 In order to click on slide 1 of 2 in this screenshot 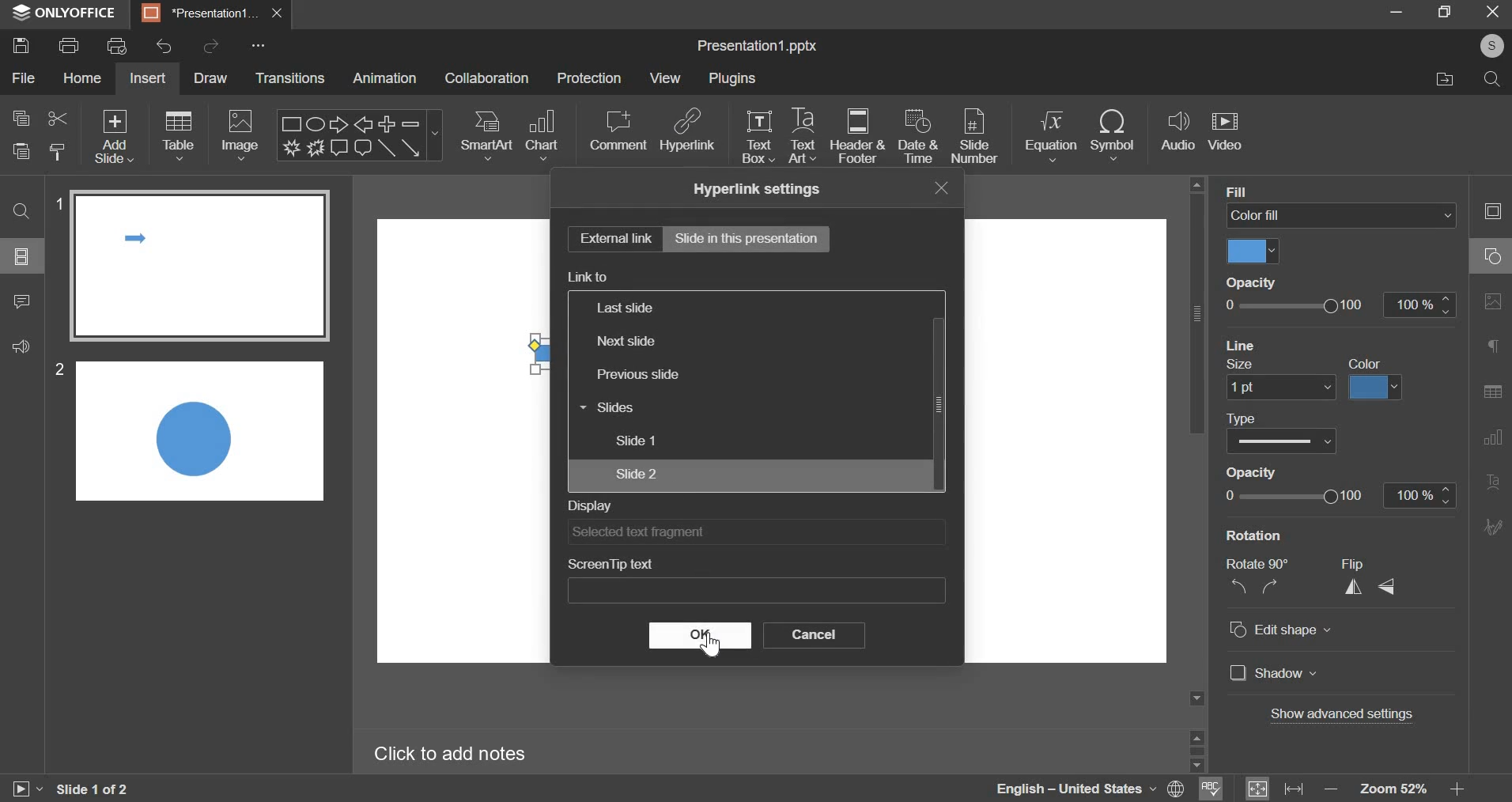, I will do `click(98, 786)`.